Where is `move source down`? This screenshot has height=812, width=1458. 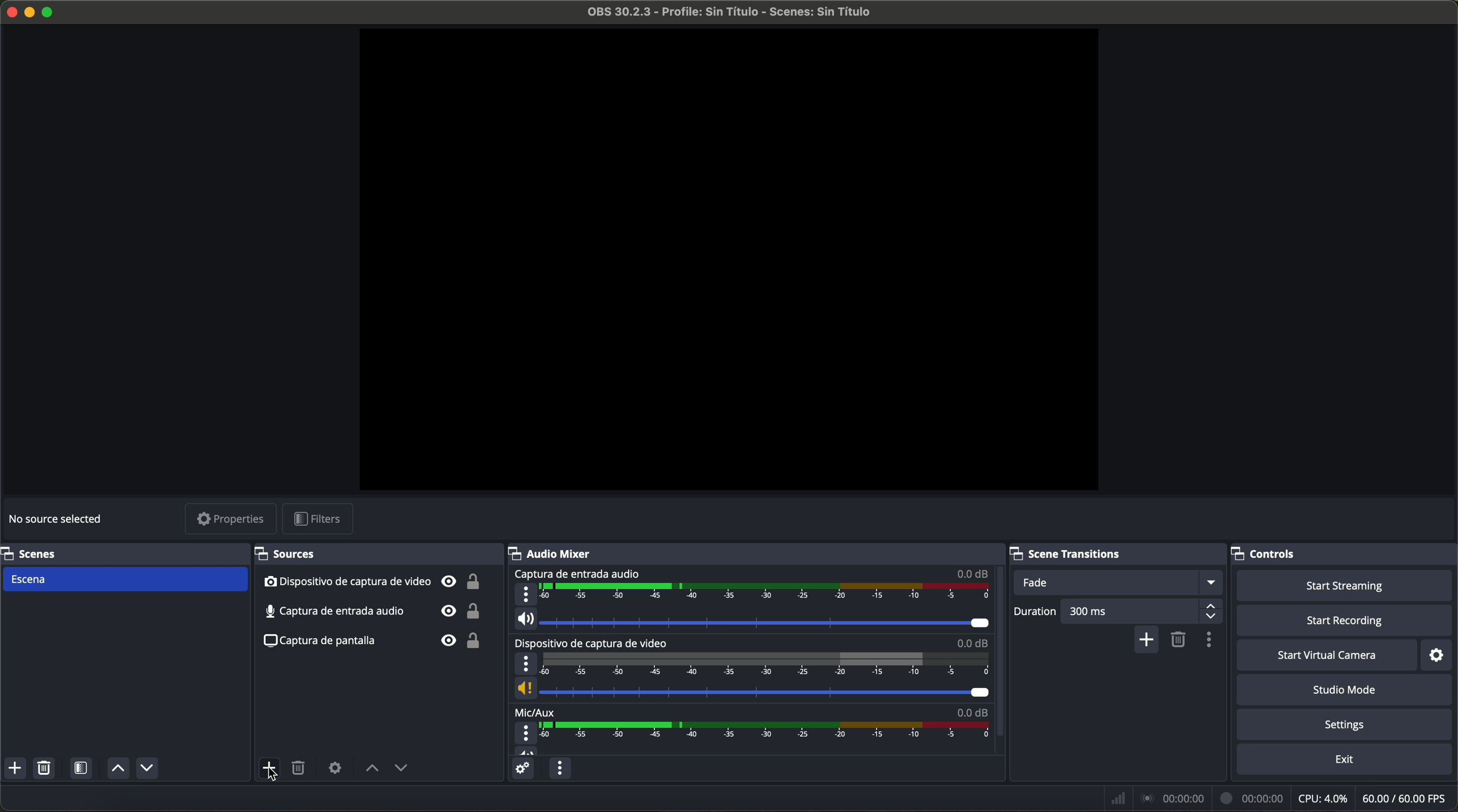 move source down is located at coordinates (398, 769).